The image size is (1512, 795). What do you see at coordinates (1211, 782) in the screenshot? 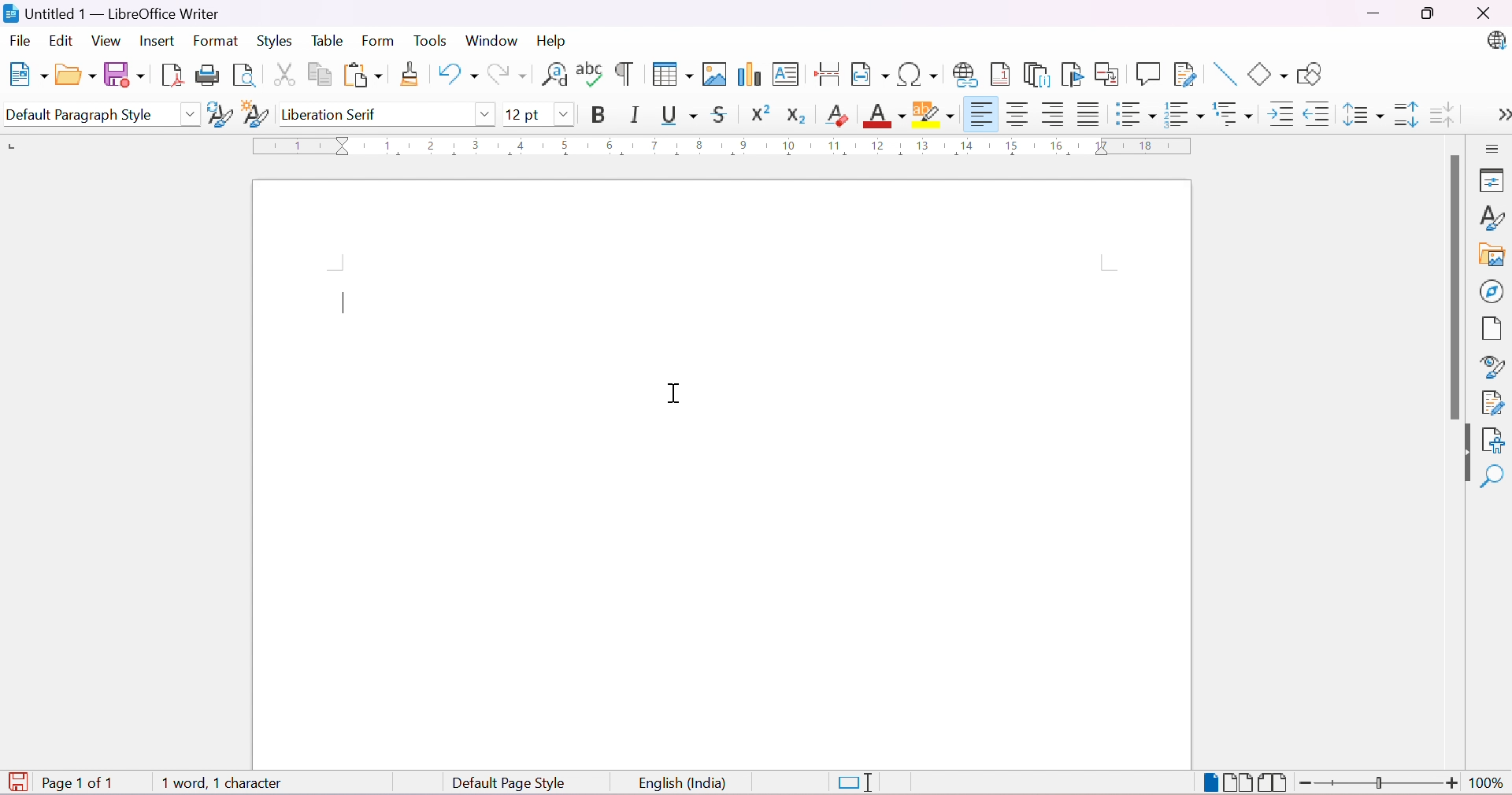
I see `Single-page View` at bounding box center [1211, 782].